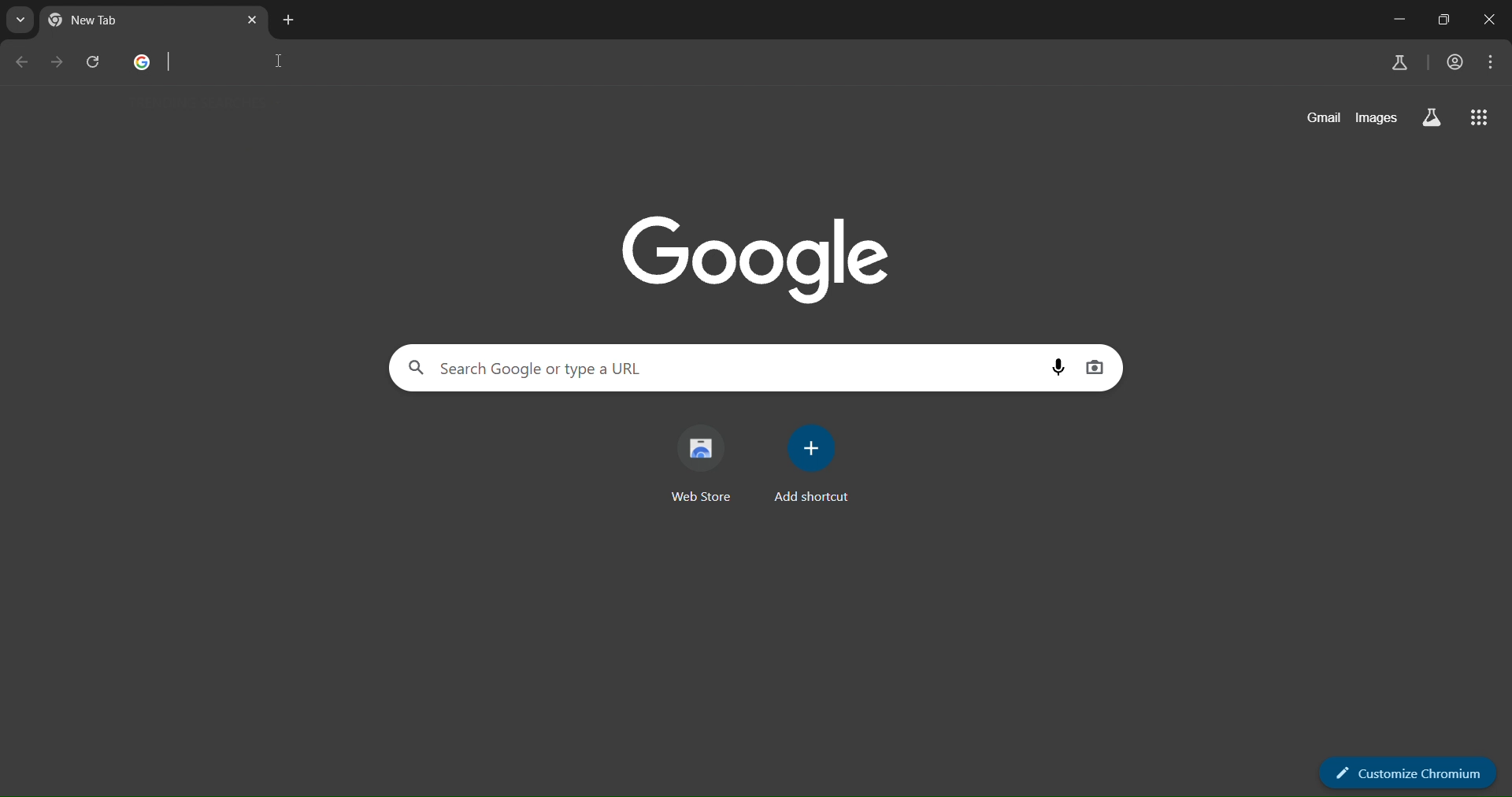 This screenshot has width=1512, height=797. What do you see at coordinates (1377, 117) in the screenshot?
I see `images` at bounding box center [1377, 117].